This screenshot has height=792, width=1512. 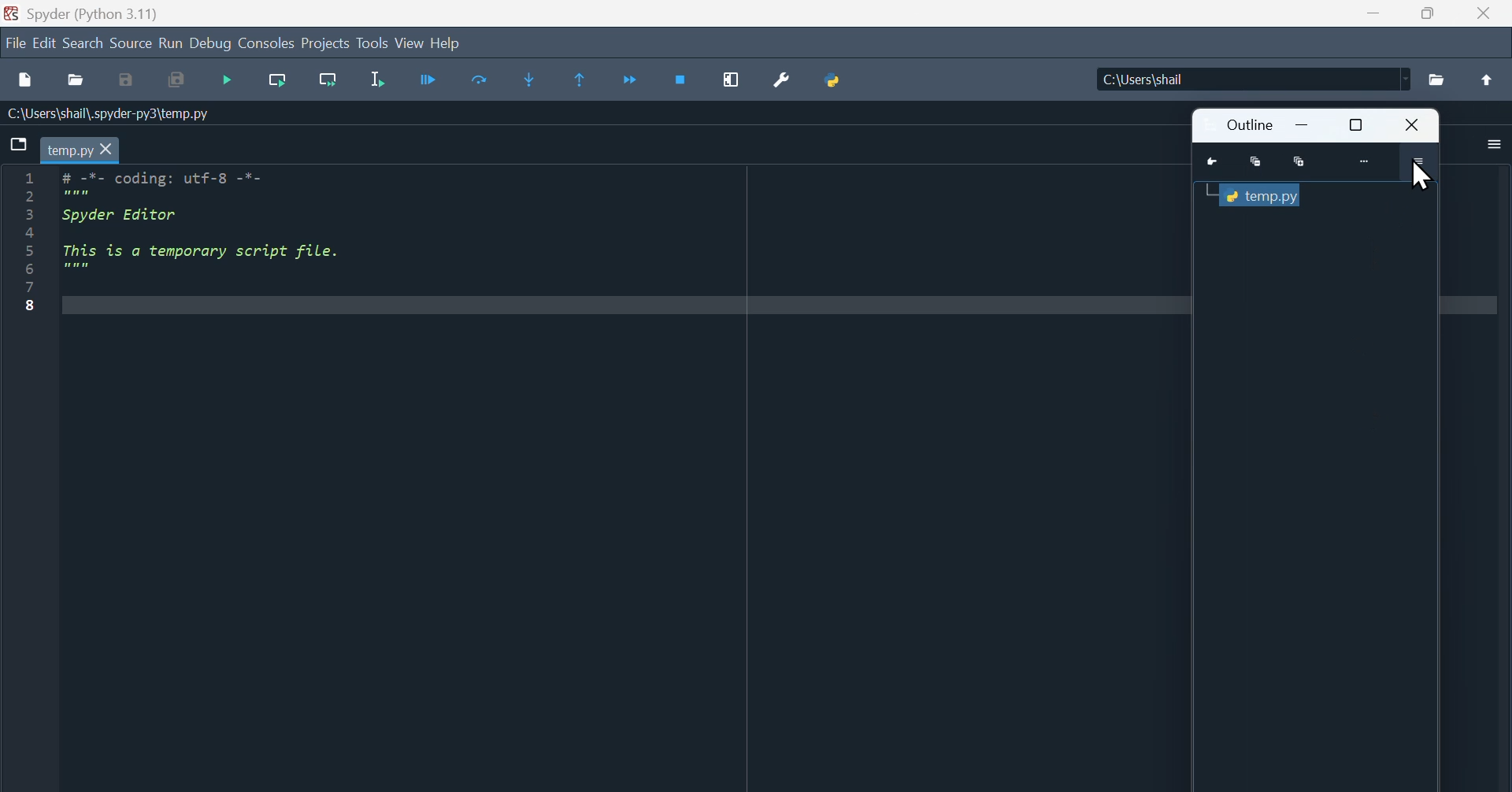 What do you see at coordinates (176, 80) in the screenshot?
I see `Save all` at bounding box center [176, 80].